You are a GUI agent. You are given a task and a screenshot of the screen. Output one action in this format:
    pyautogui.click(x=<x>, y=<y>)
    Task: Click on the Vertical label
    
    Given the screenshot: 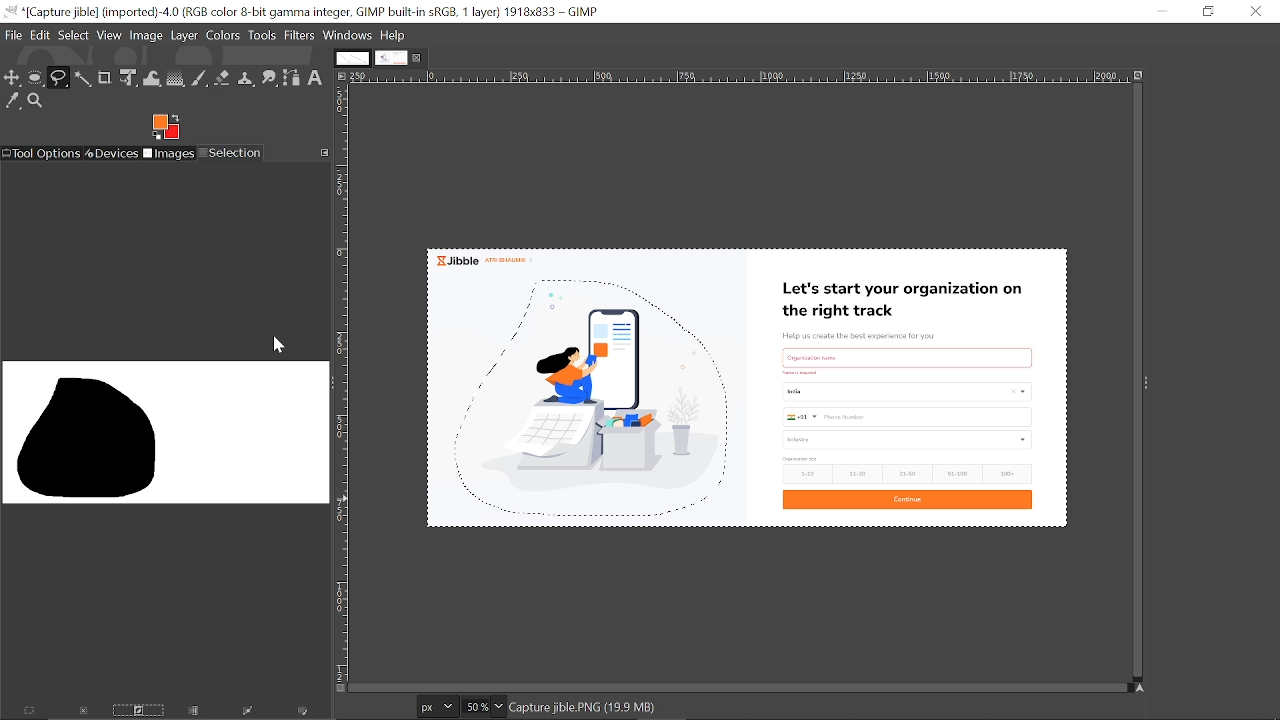 What is the action you would take?
    pyautogui.click(x=344, y=390)
    